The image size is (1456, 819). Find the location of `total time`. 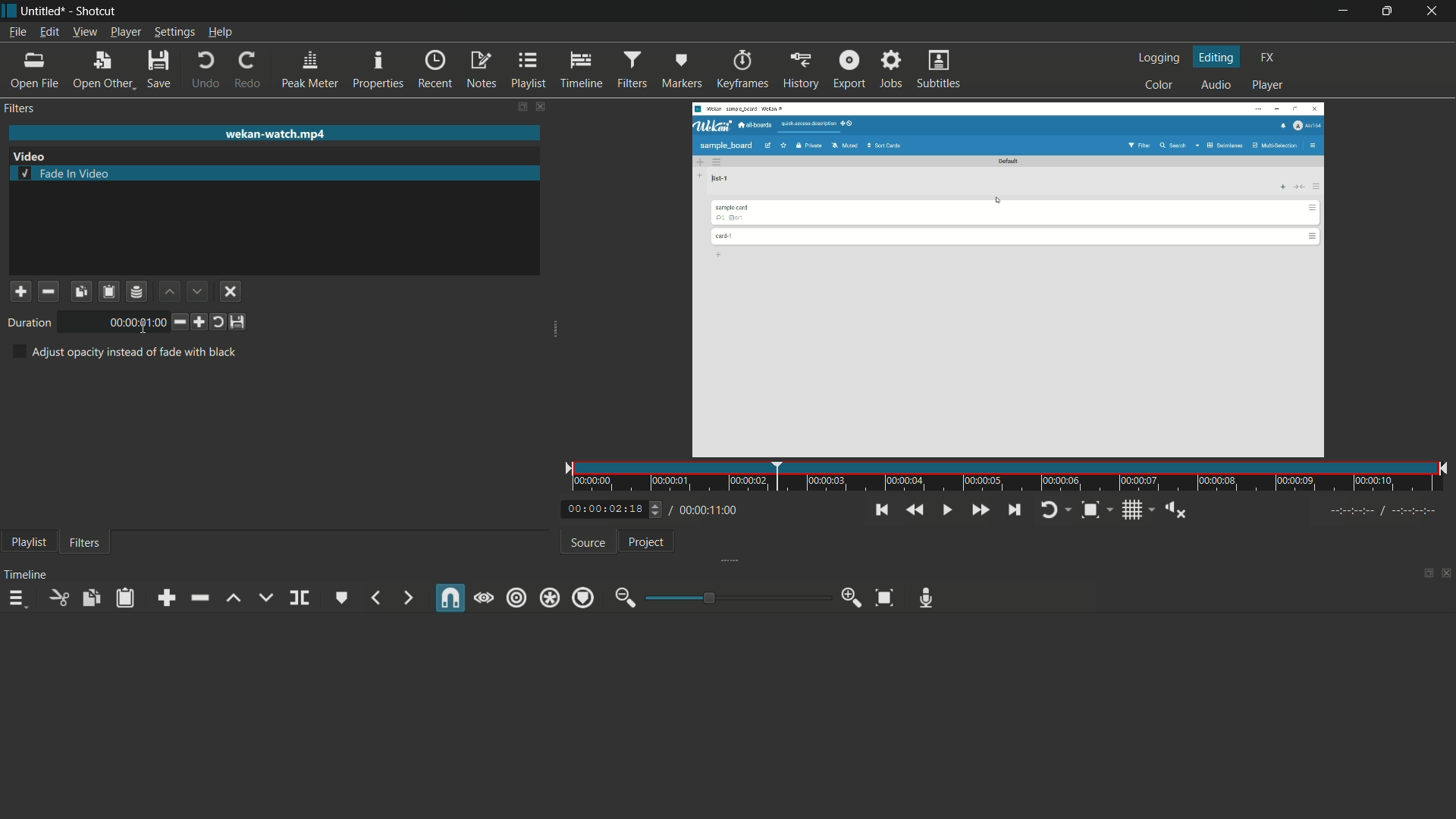

total time is located at coordinates (712, 510).